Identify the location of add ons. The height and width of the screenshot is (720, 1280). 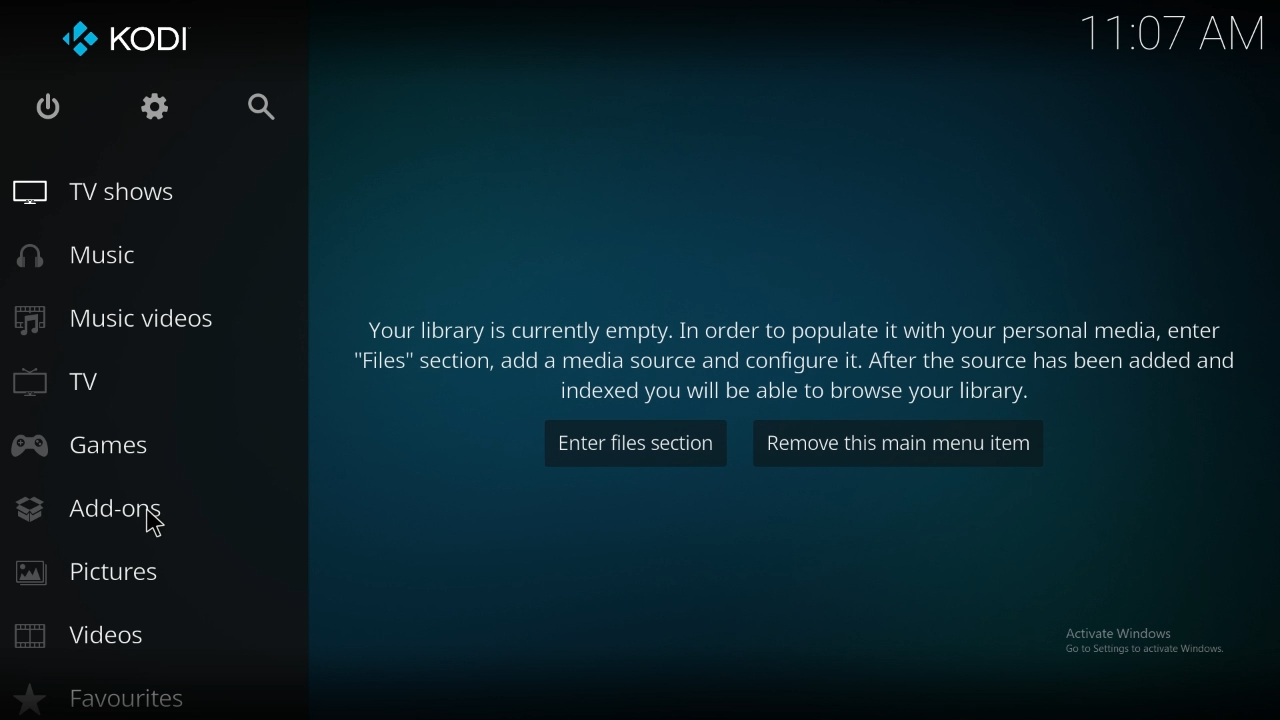
(108, 507).